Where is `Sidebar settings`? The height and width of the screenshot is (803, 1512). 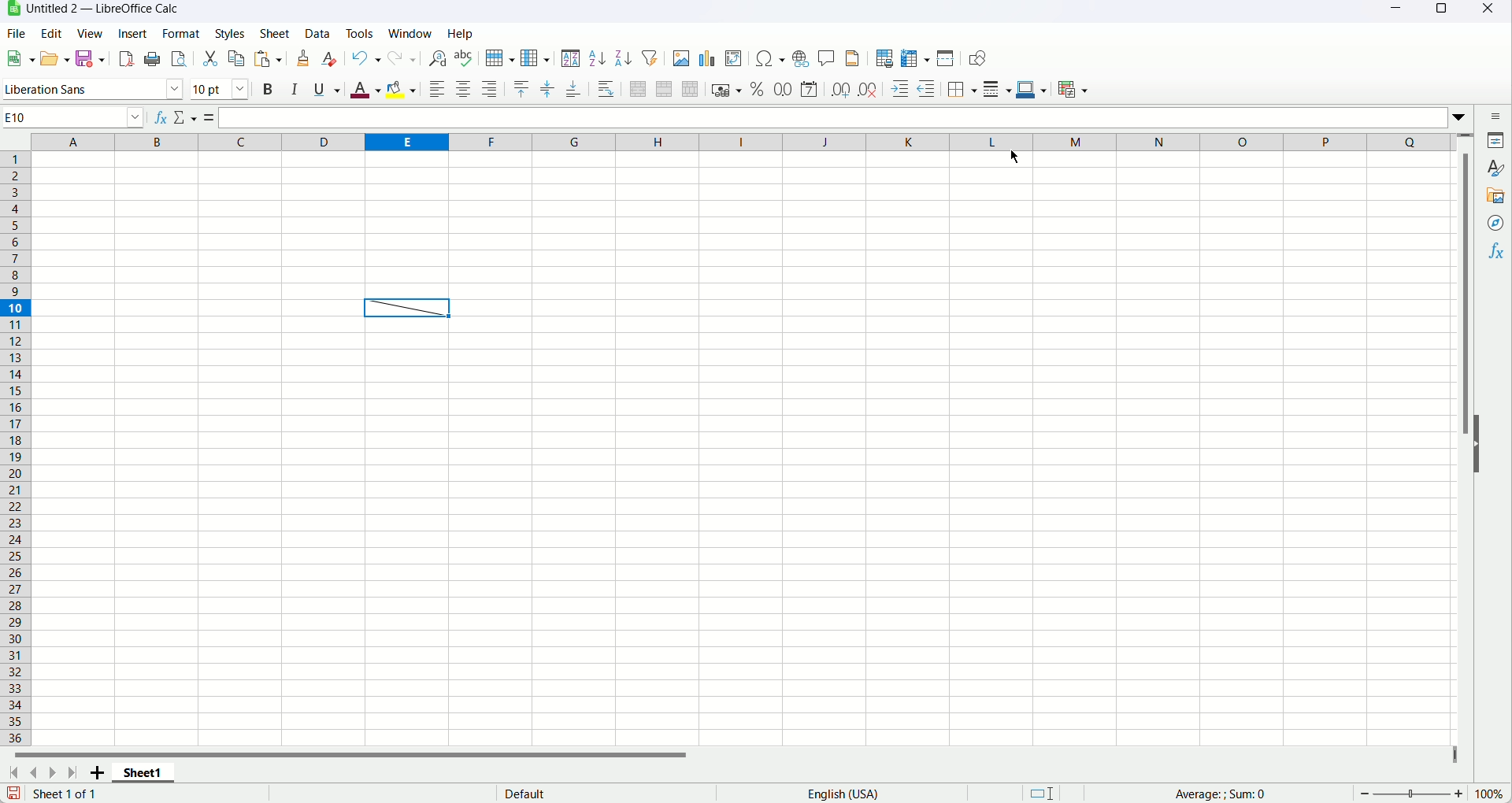 Sidebar settings is located at coordinates (1495, 115).